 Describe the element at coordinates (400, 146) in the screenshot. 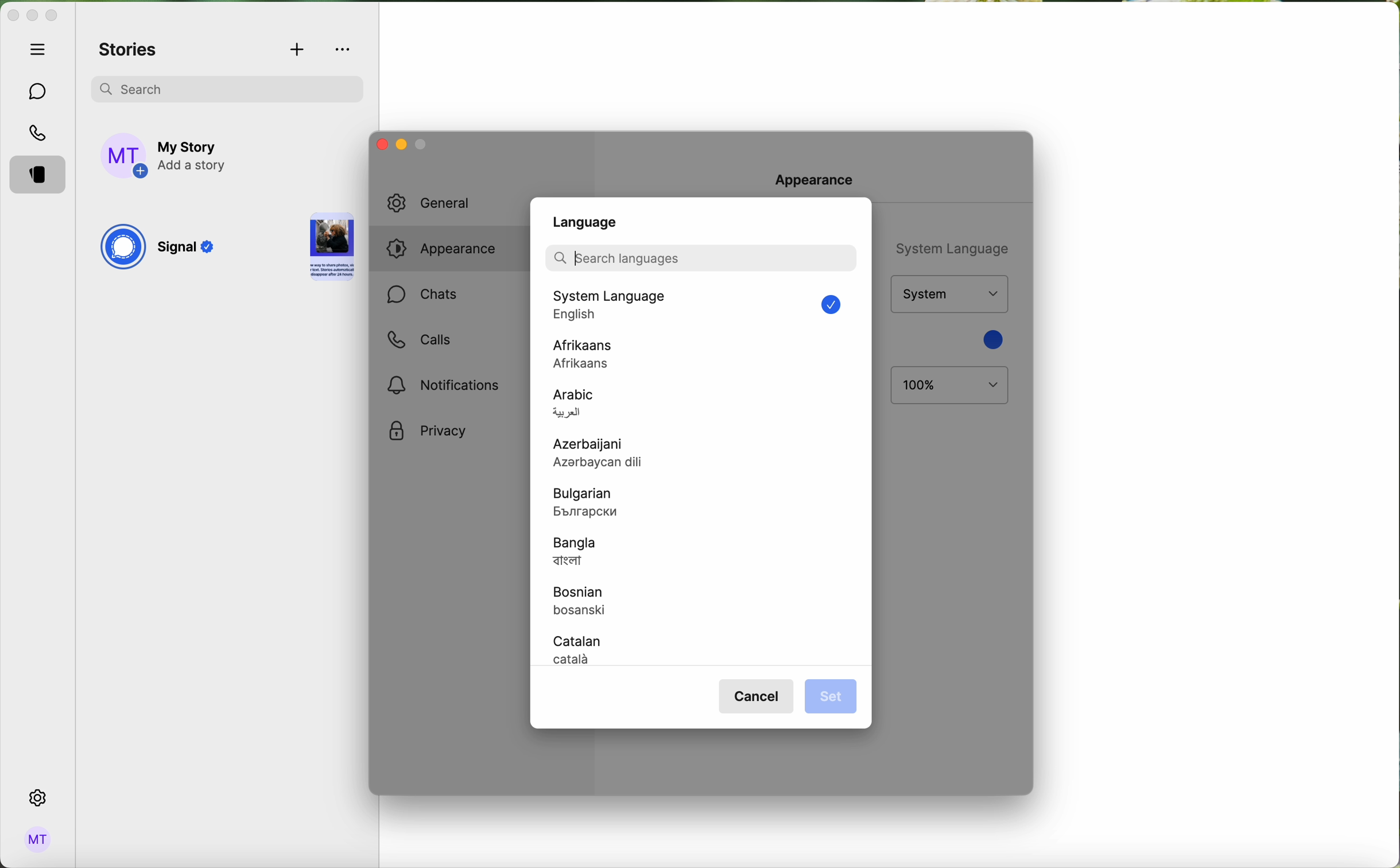

I see `minimize` at that location.